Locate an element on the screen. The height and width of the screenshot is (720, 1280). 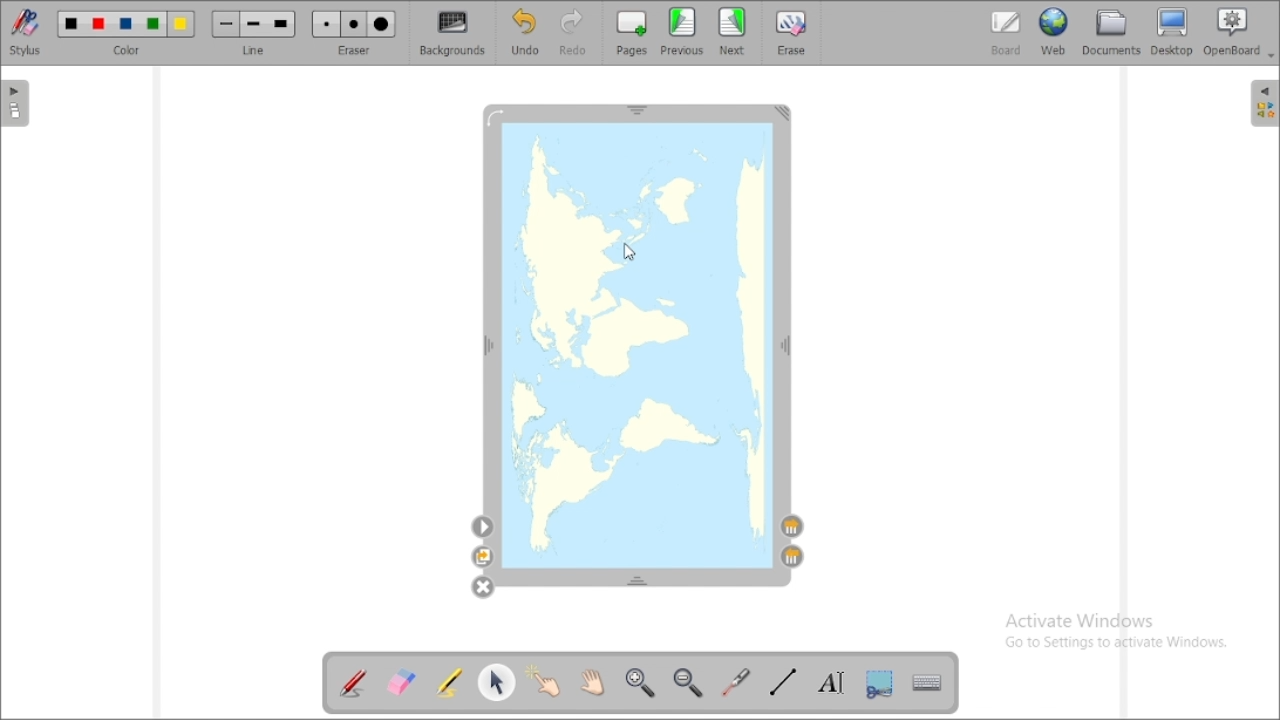
scroll page is located at coordinates (592, 681).